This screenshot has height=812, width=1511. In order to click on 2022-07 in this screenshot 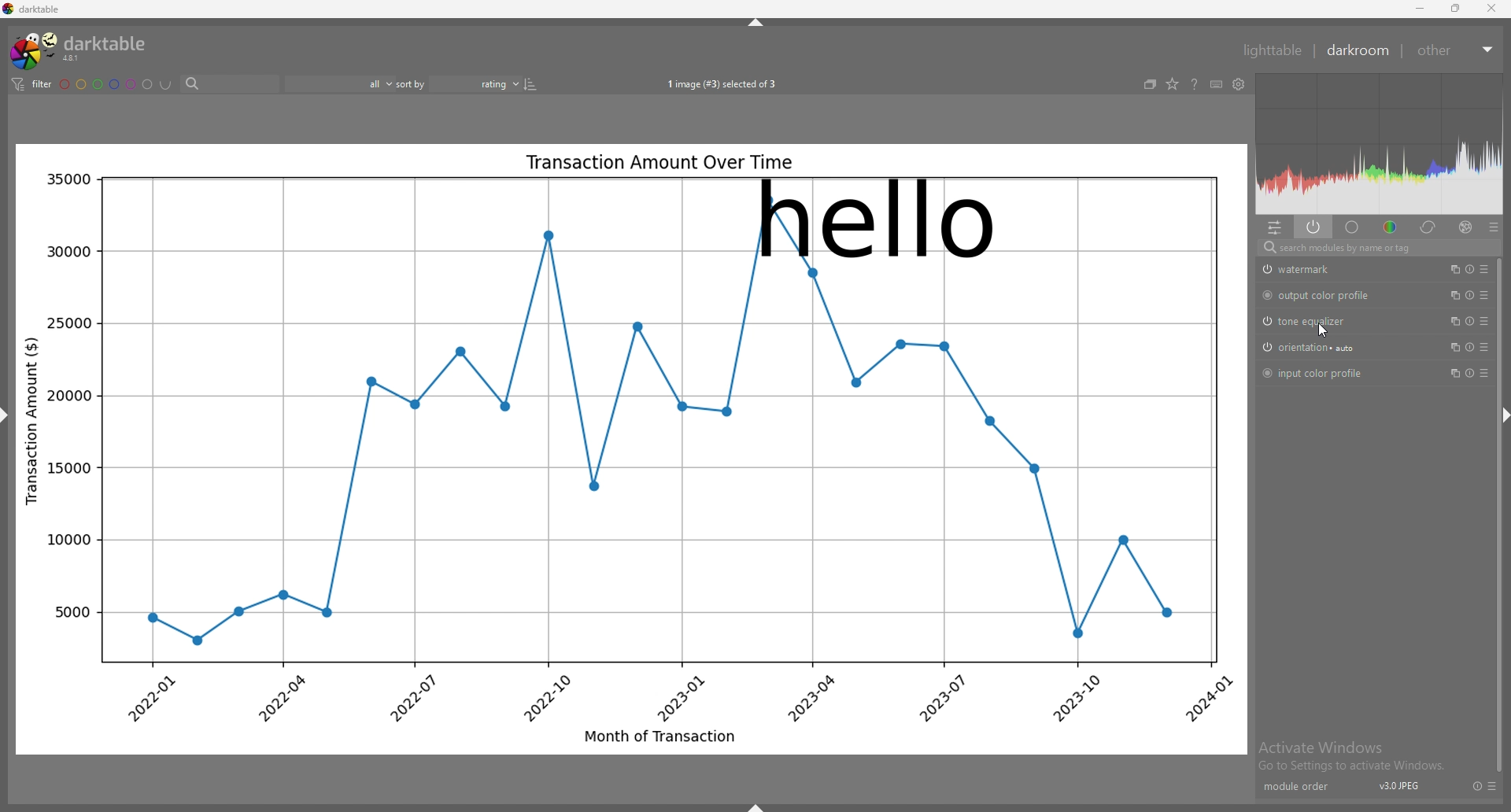, I will do `click(410, 697)`.